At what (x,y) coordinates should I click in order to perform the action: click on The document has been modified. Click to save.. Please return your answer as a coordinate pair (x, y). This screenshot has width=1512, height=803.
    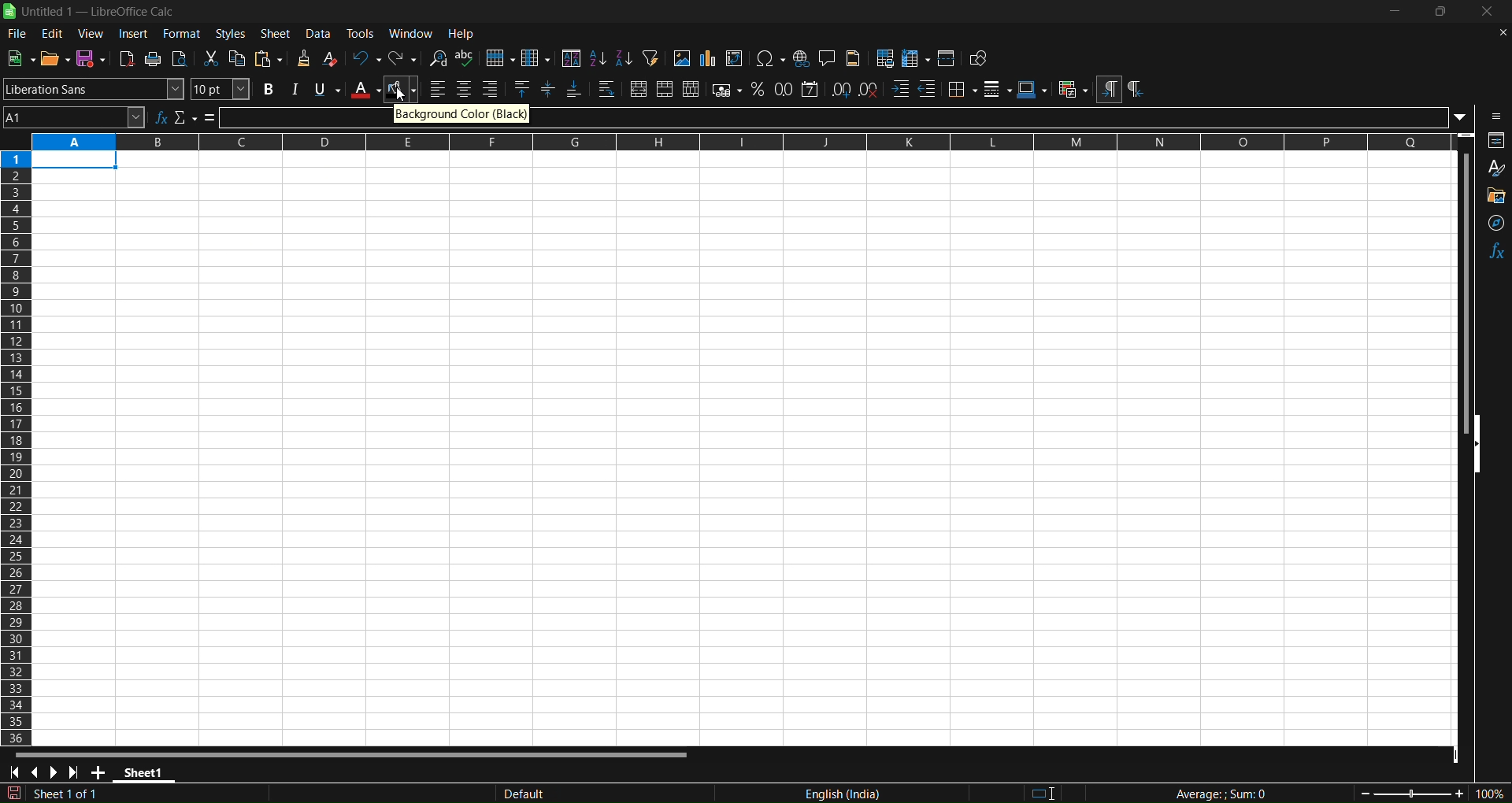
    Looking at the image, I should click on (57, 794).